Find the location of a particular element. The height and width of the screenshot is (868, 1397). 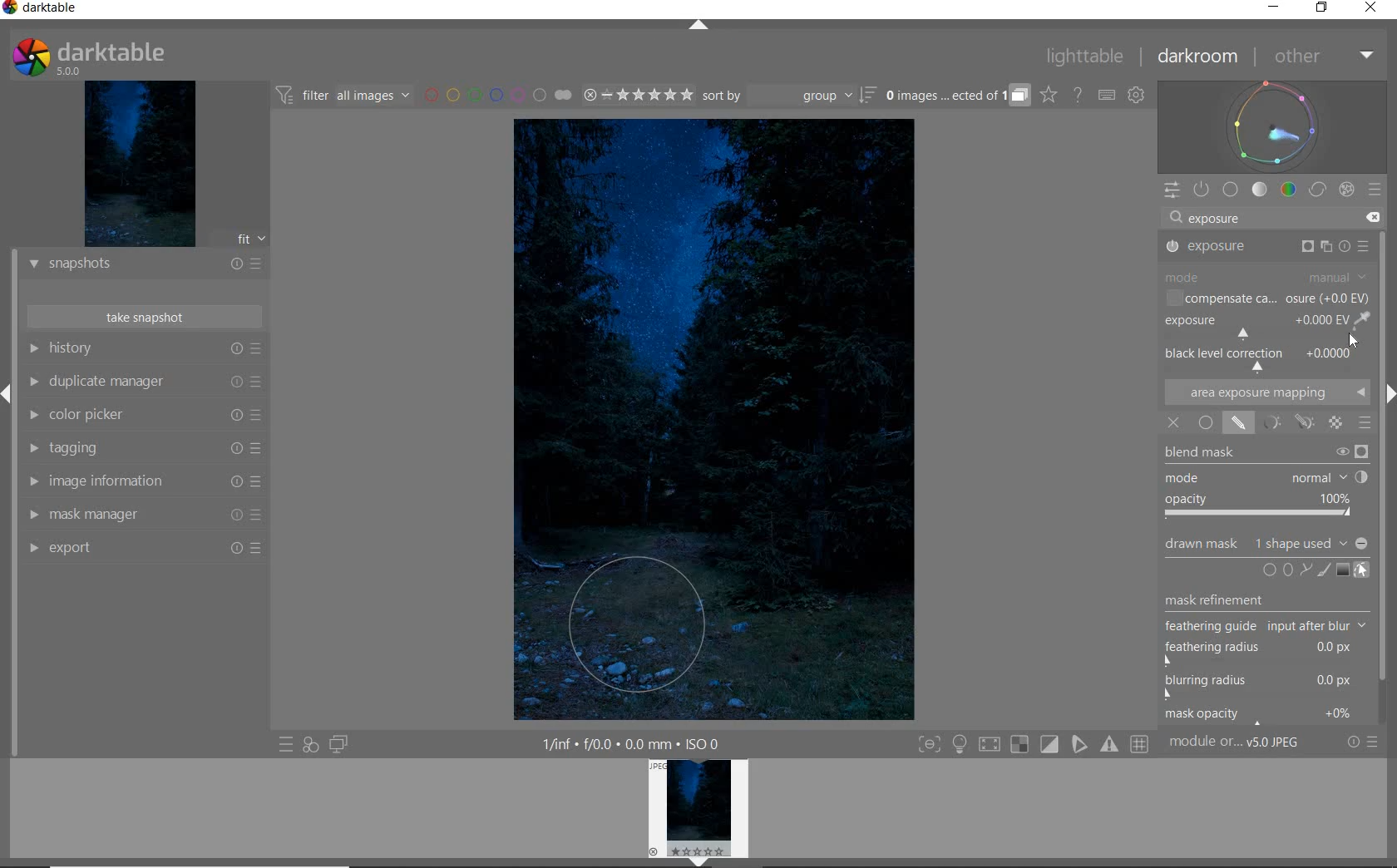

ADD CIRCLE, ELLIPSE, OR PATH is located at coordinates (1299, 570).